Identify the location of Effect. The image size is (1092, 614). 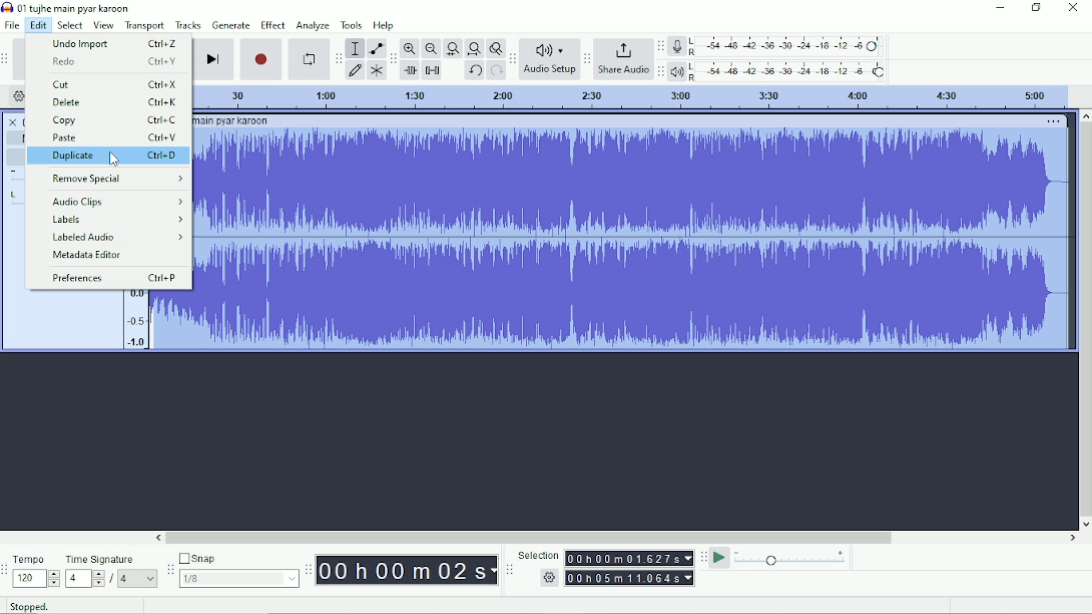
(273, 25).